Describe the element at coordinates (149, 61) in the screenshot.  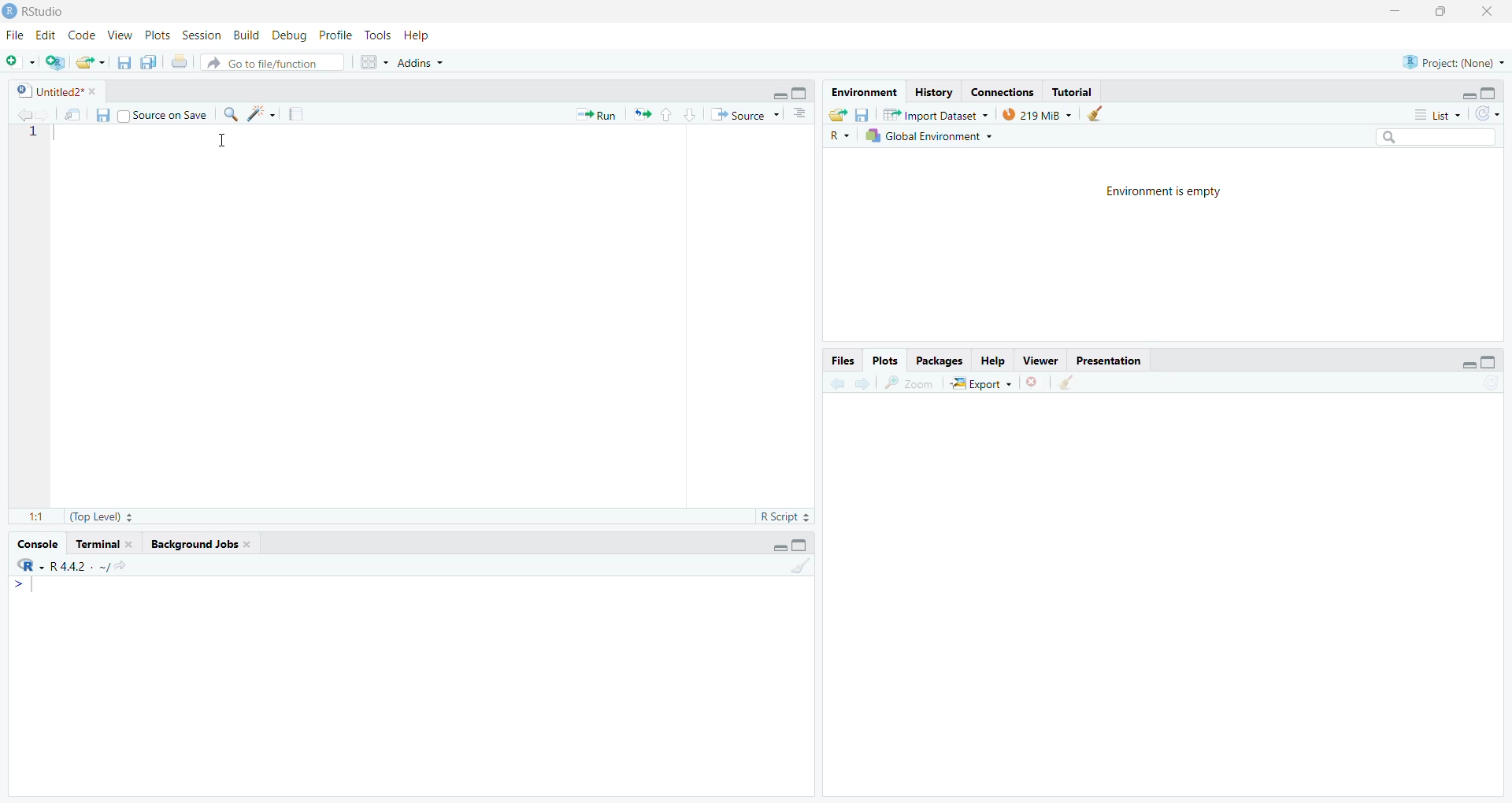
I see `Save all open files` at that location.